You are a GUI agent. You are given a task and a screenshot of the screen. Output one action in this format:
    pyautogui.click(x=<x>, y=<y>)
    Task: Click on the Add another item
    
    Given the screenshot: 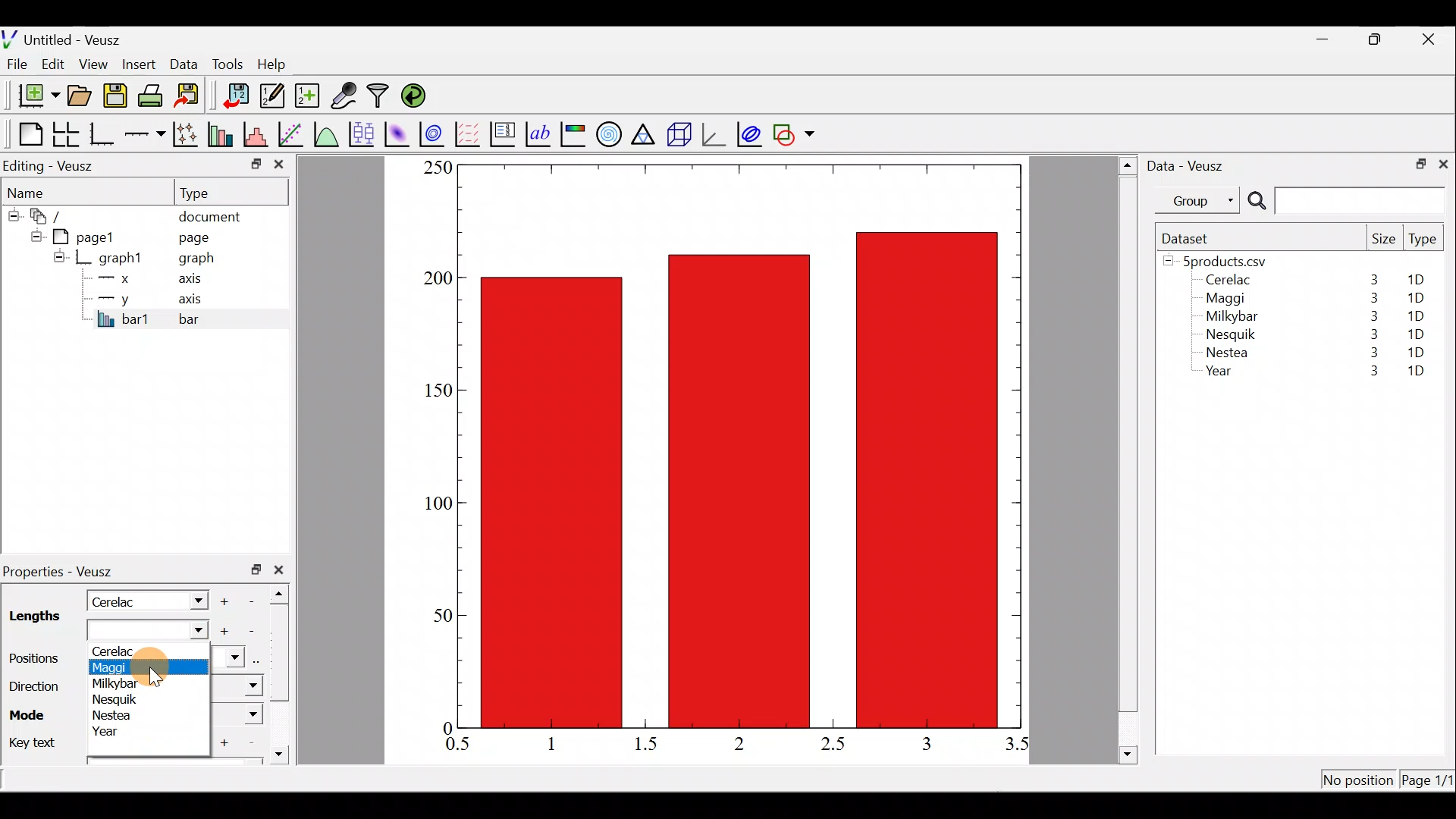 What is the action you would take?
    pyautogui.click(x=227, y=599)
    